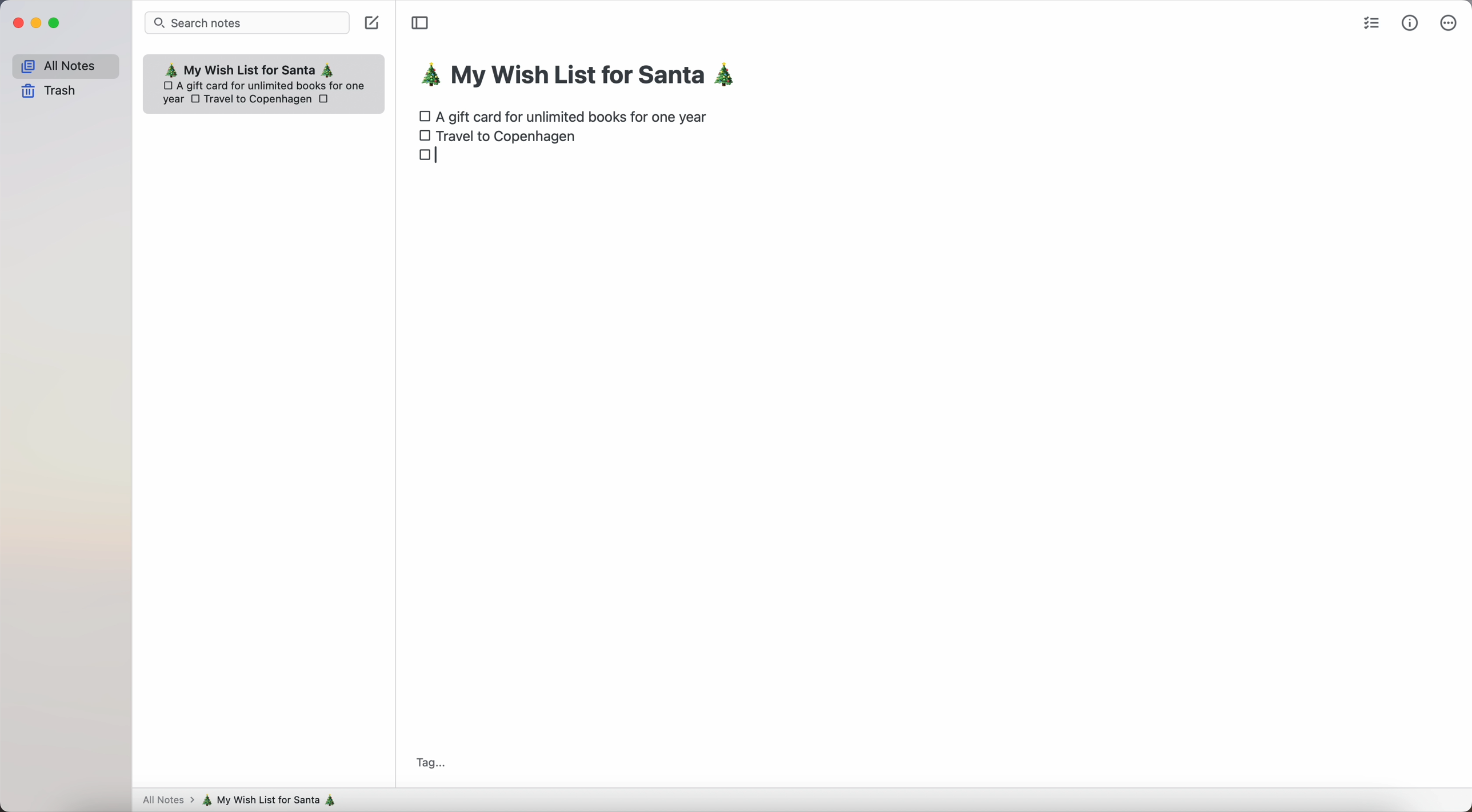 The image size is (1472, 812). I want to click on A gift card for unlimited books for one year, so click(576, 115).